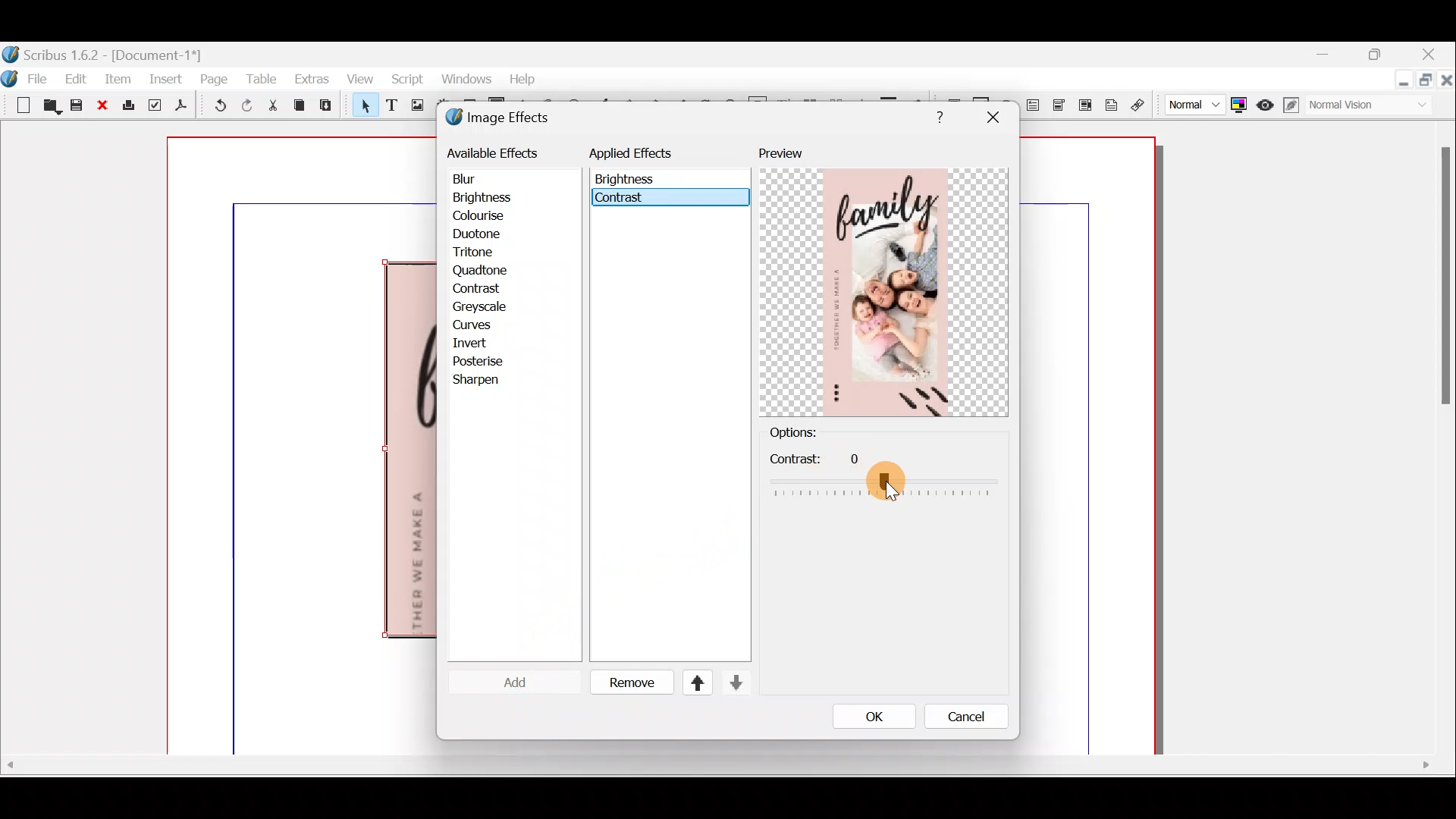 The image size is (1456, 819). What do you see at coordinates (628, 179) in the screenshot?
I see `brightness` at bounding box center [628, 179].